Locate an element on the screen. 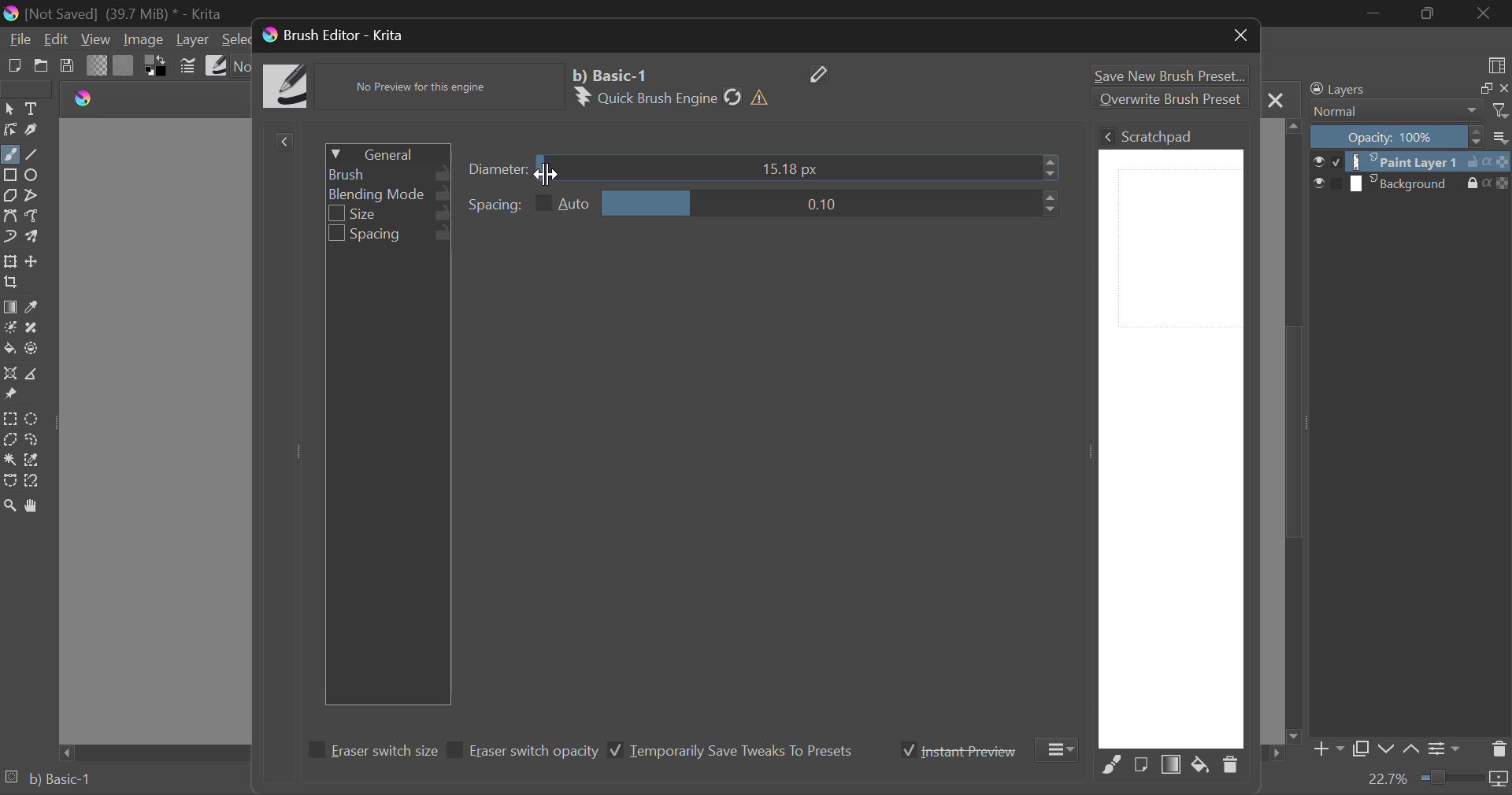 Image resolution: width=1512 pixels, height=795 pixels. Save is located at coordinates (68, 66).